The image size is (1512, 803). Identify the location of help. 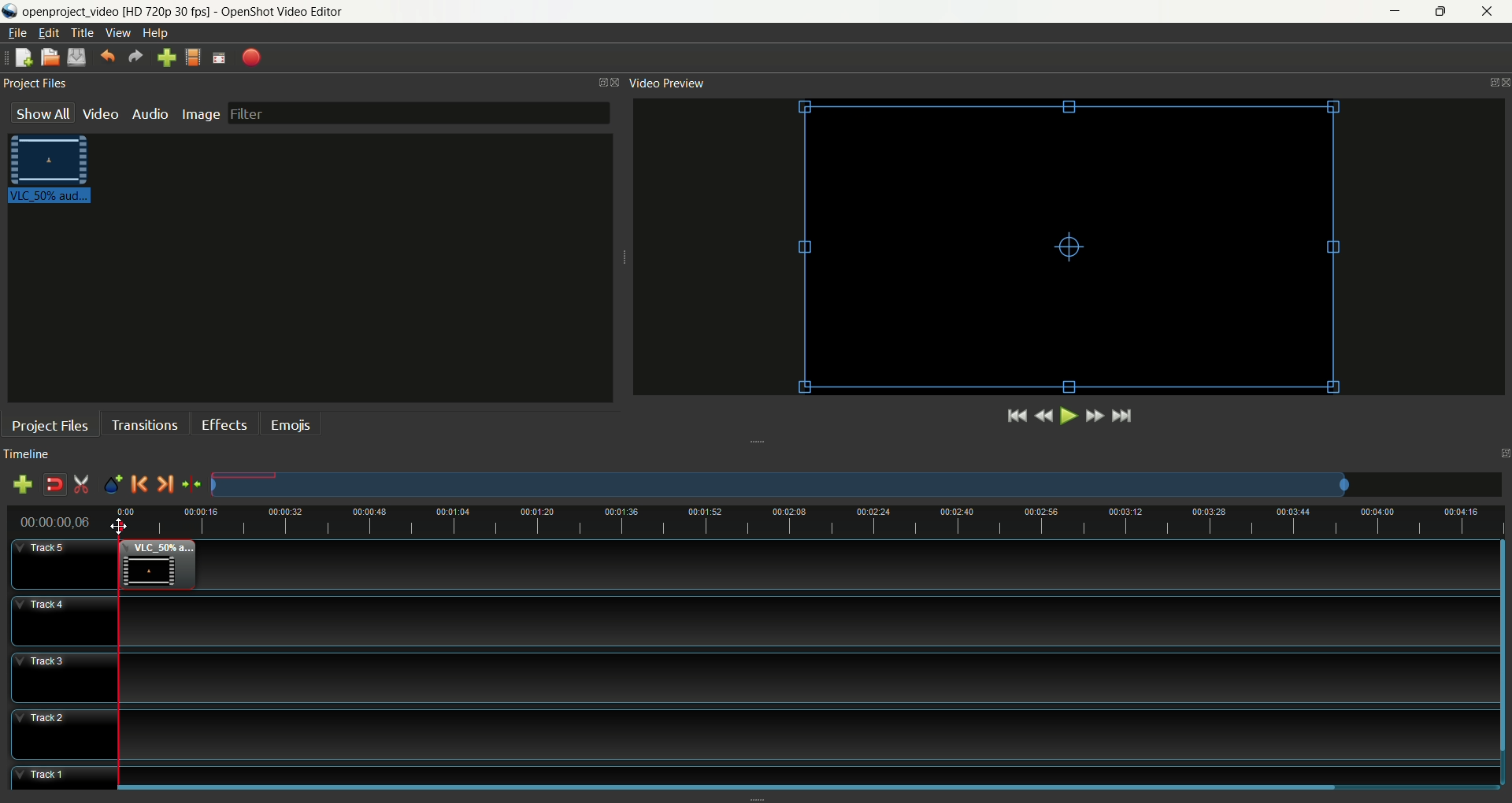
(157, 34).